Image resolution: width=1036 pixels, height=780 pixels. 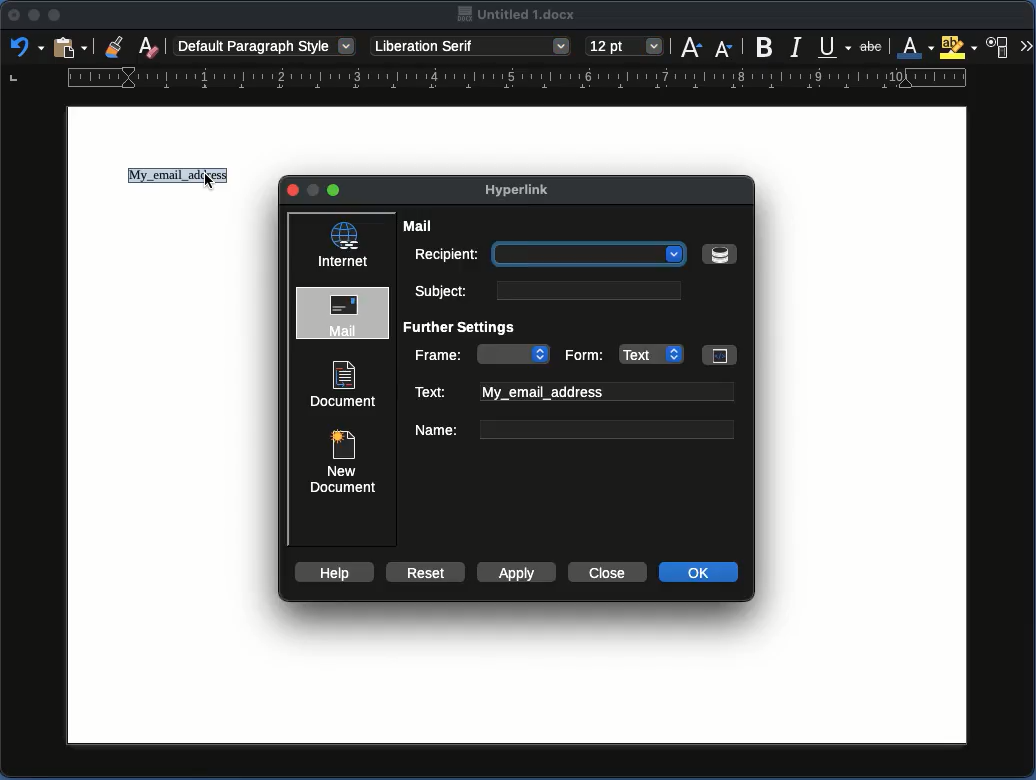 What do you see at coordinates (294, 191) in the screenshot?
I see `Close` at bounding box center [294, 191].